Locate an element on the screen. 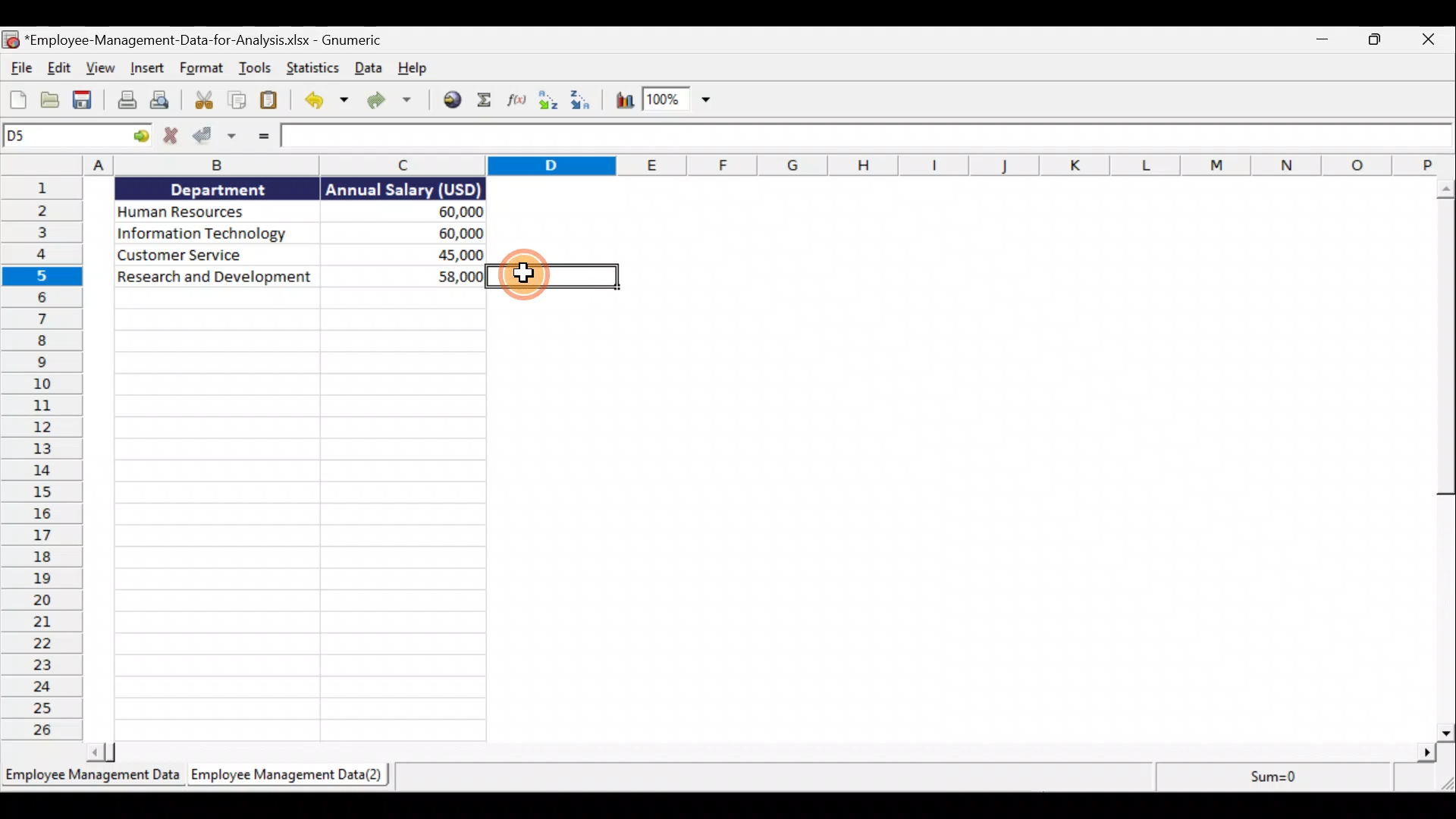 Image resolution: width=1456 pixels, height=819 pixels. Data is located at coordinates (367, 69).